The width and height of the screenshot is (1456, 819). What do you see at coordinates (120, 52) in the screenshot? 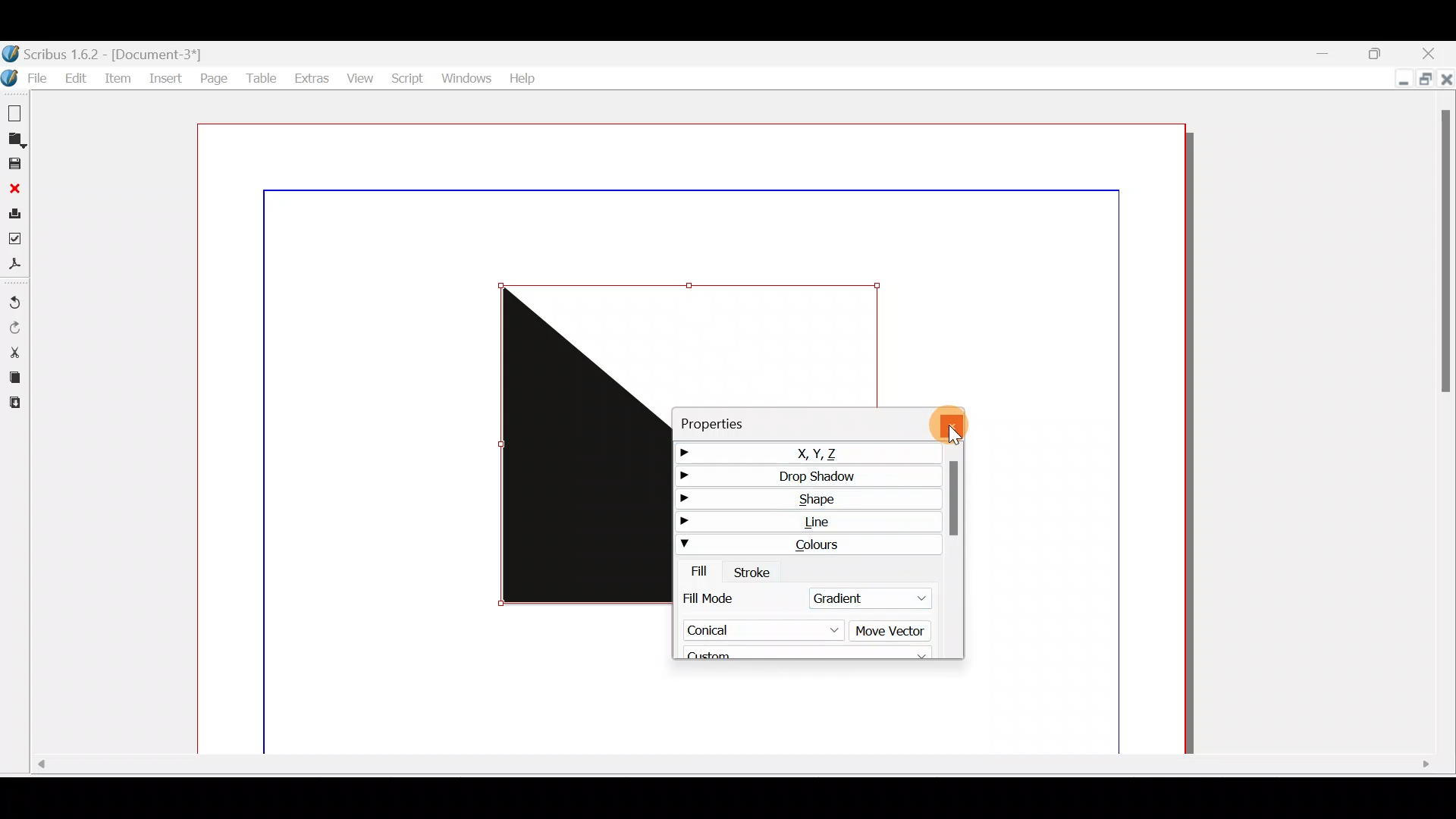
I see `Document name` at bounding box center [120, 52].